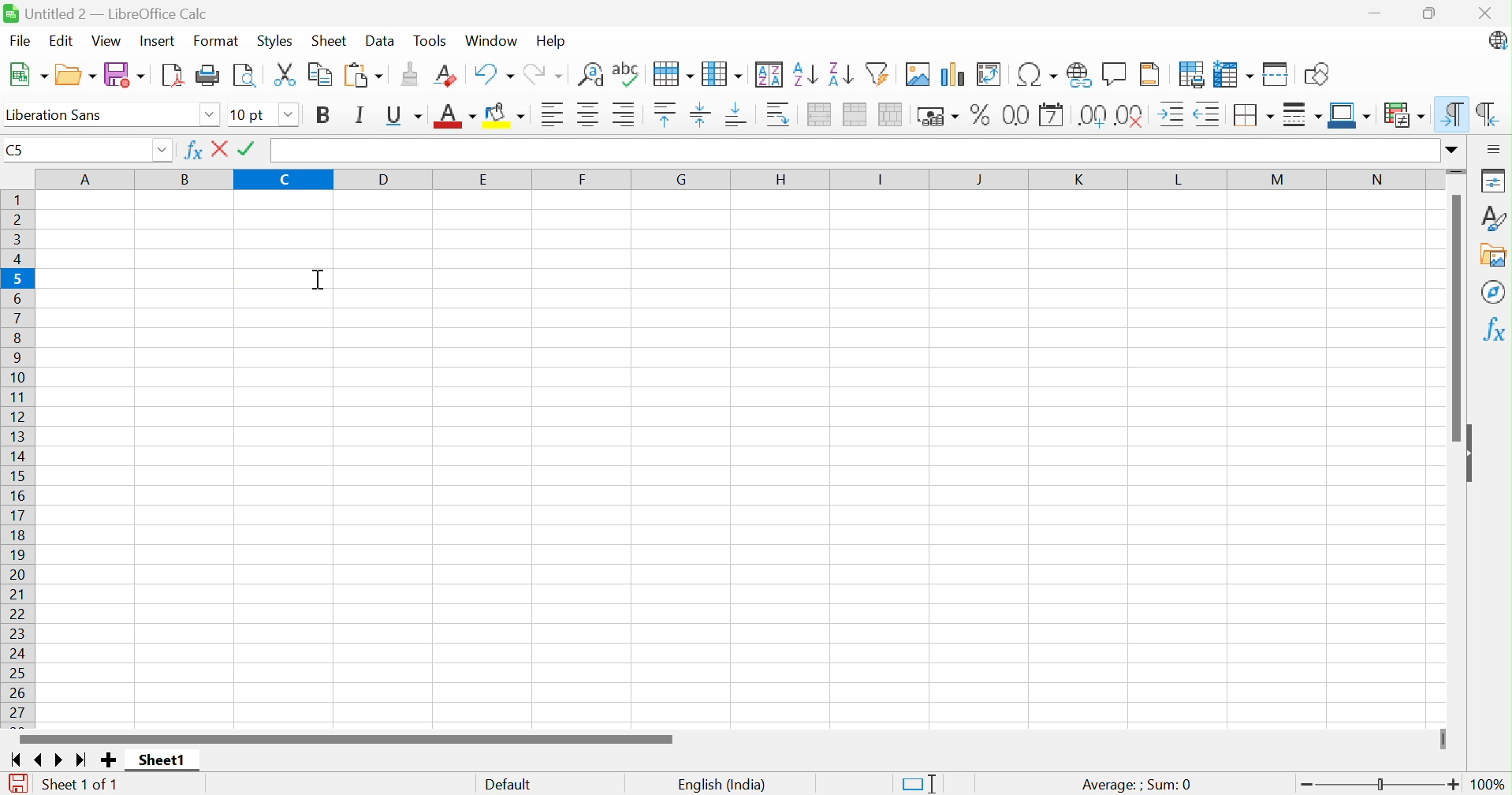 The image size is (1512, 795). I want to click on Row names, so click(20, 461).